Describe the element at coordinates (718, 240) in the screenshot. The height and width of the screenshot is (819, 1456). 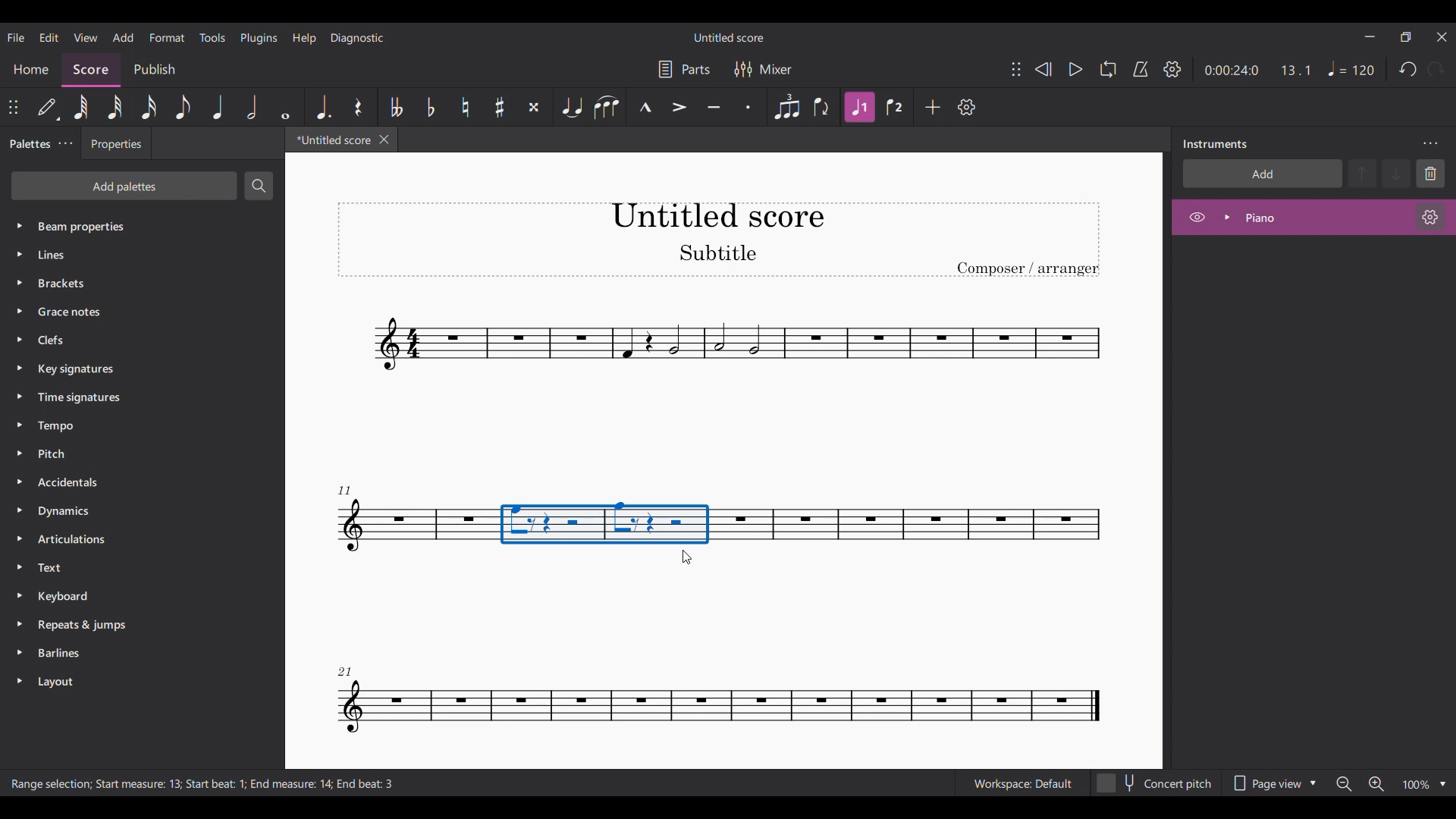
I see `Score title, sub-title and composer / arranger` at that location.